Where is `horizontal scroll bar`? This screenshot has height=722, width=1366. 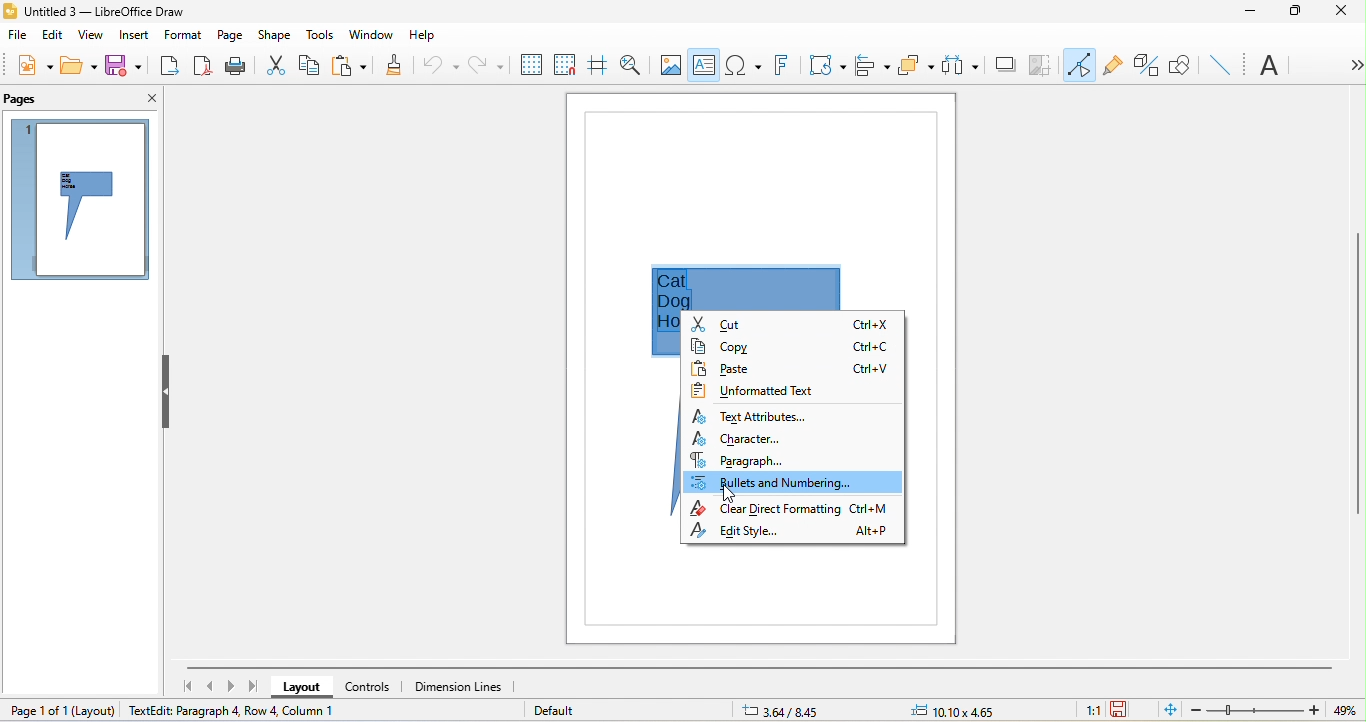
horizontal scroll bar is located at coordinates (762, 666).